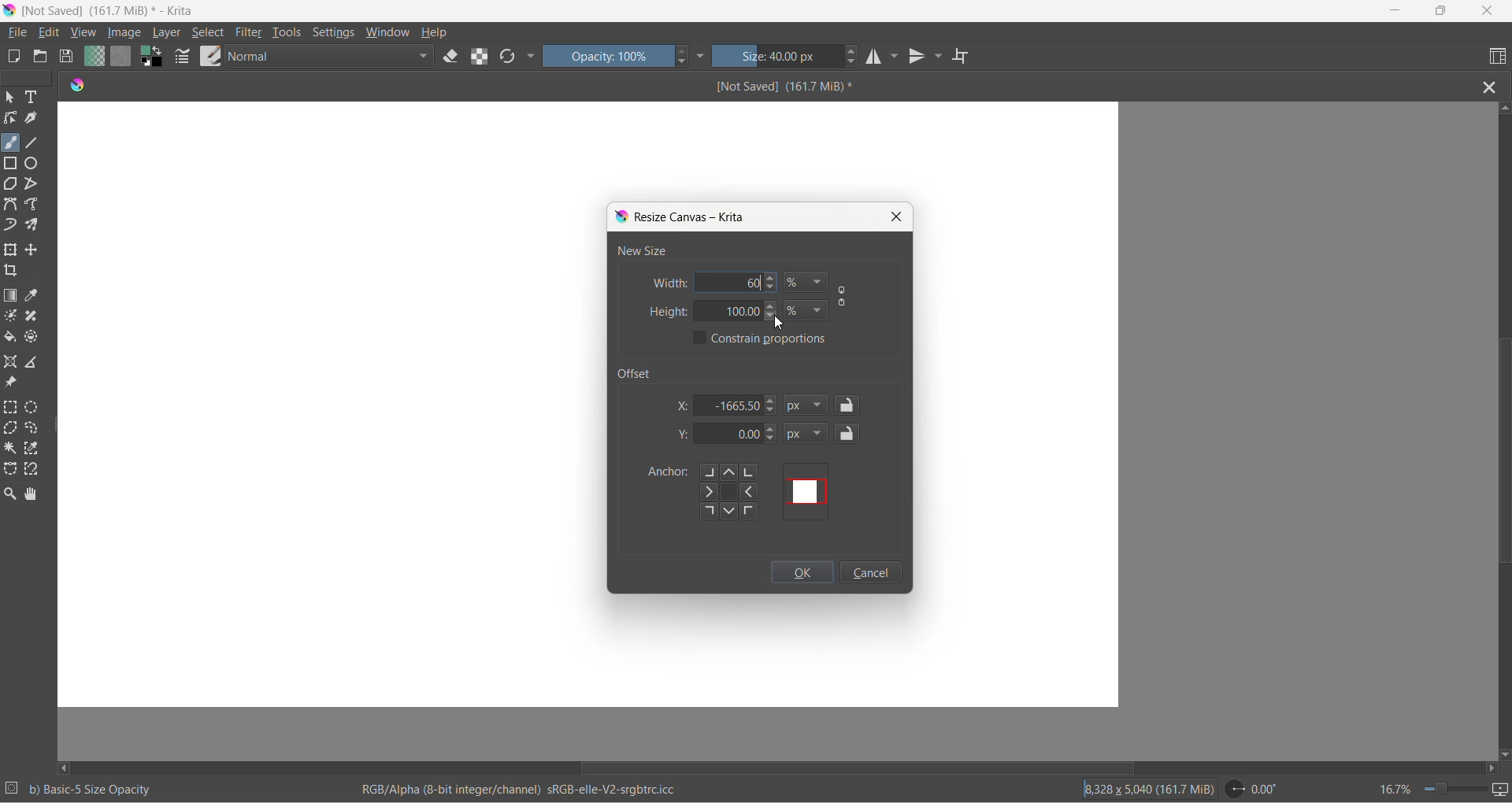 The width and height of the screenshot is (1512, 803). Describe the element at coordinates (34, 451) in the screenshot. I see `similar color selection tool` at that location.